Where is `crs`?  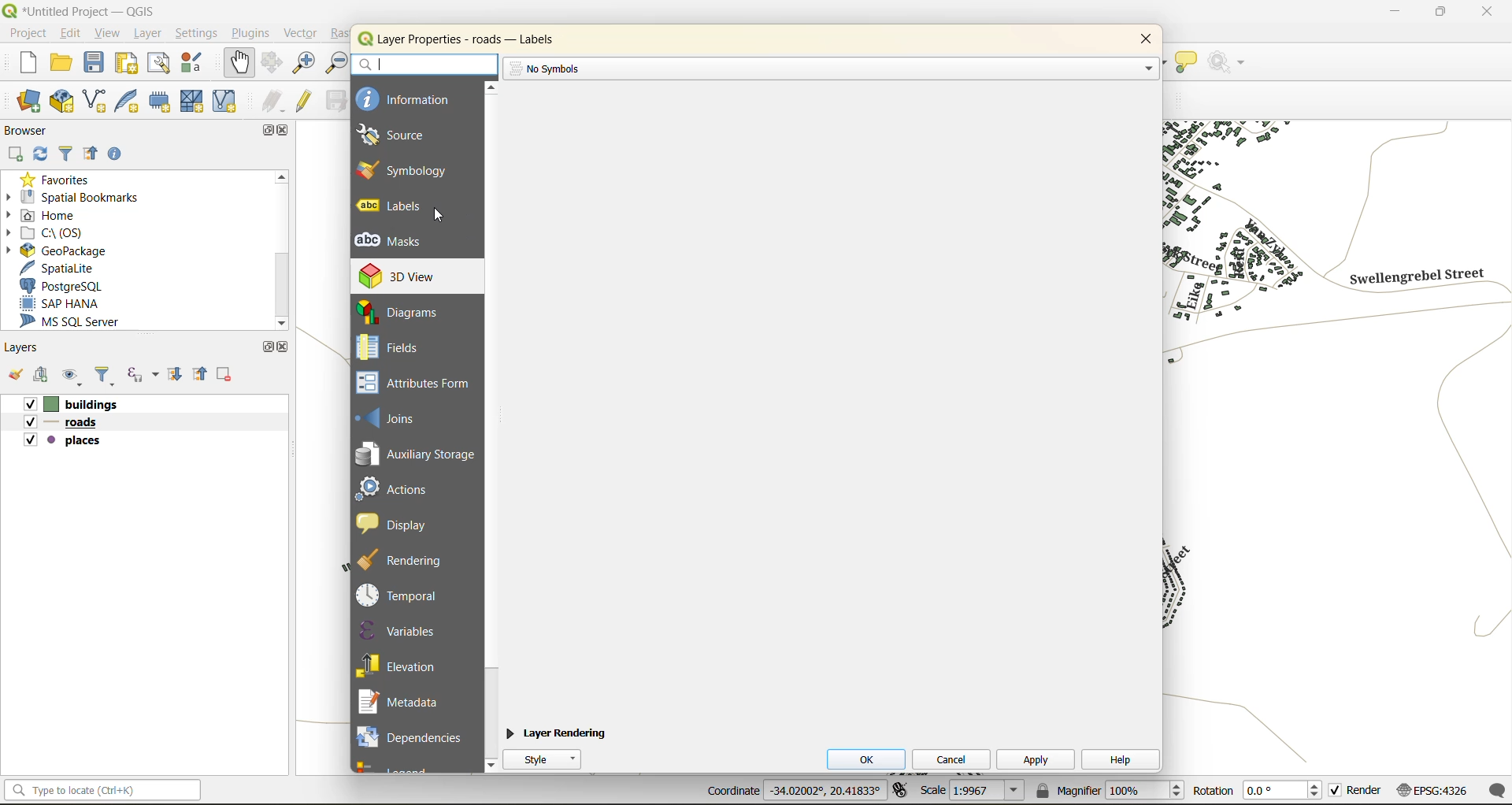 crs is located at coordinates (1431, 787).